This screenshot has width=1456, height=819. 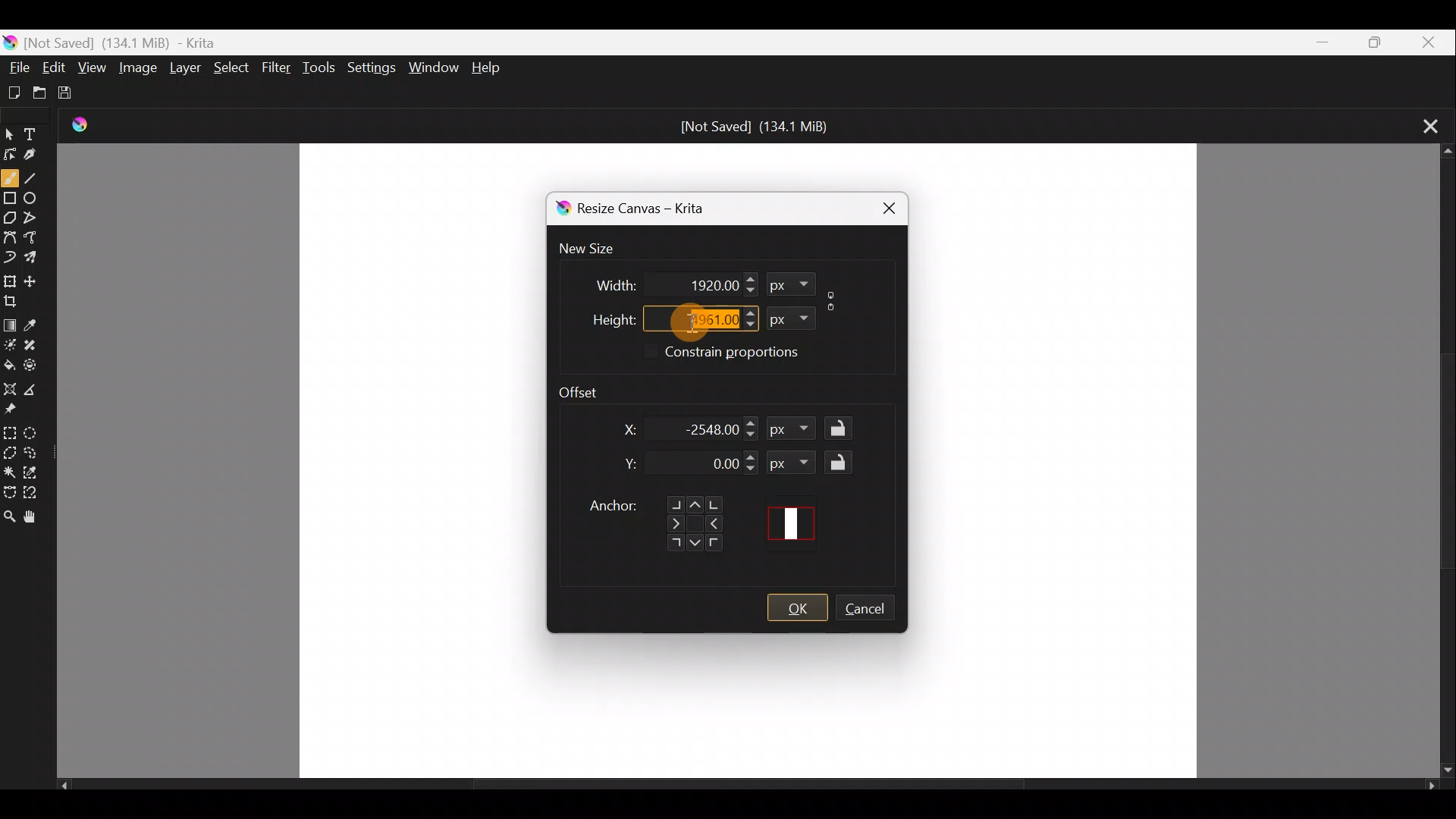 I want to click on Height, so click(x=601, y=316).